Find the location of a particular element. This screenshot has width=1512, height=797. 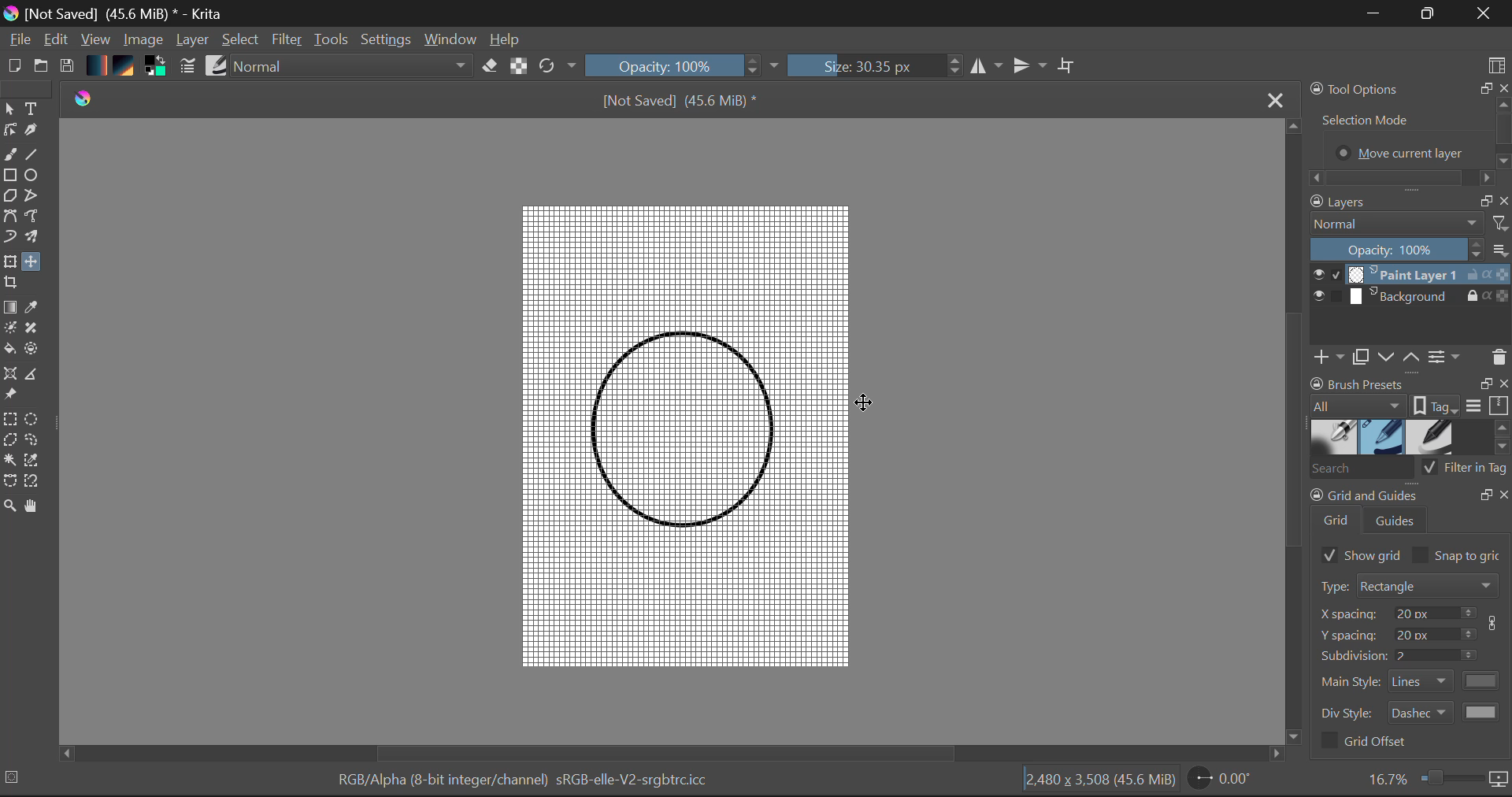

Blending Modes is located at coordinates (348, 68).